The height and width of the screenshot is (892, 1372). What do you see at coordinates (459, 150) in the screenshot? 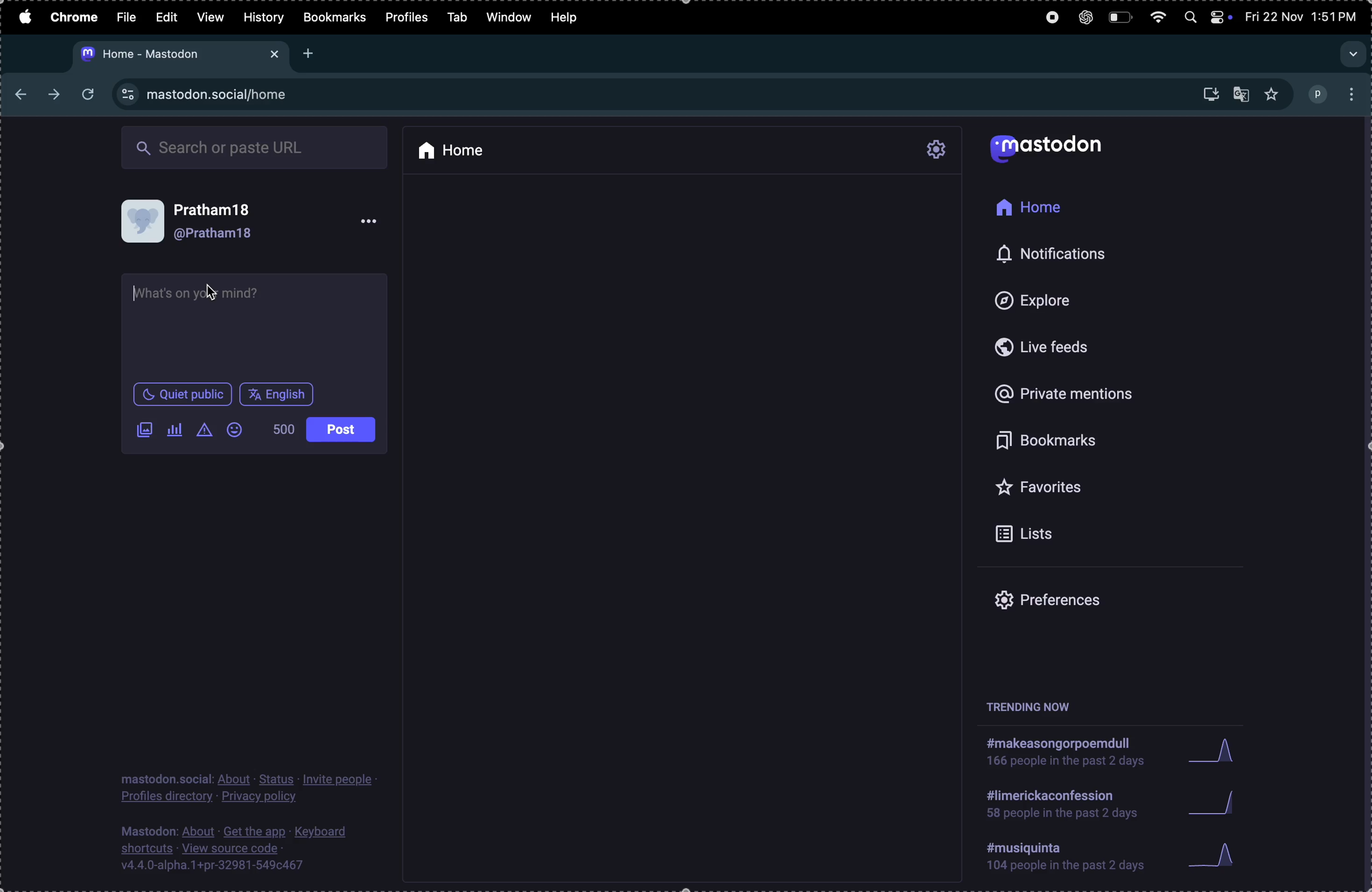
I see `home` at bounding box center [459, 150].